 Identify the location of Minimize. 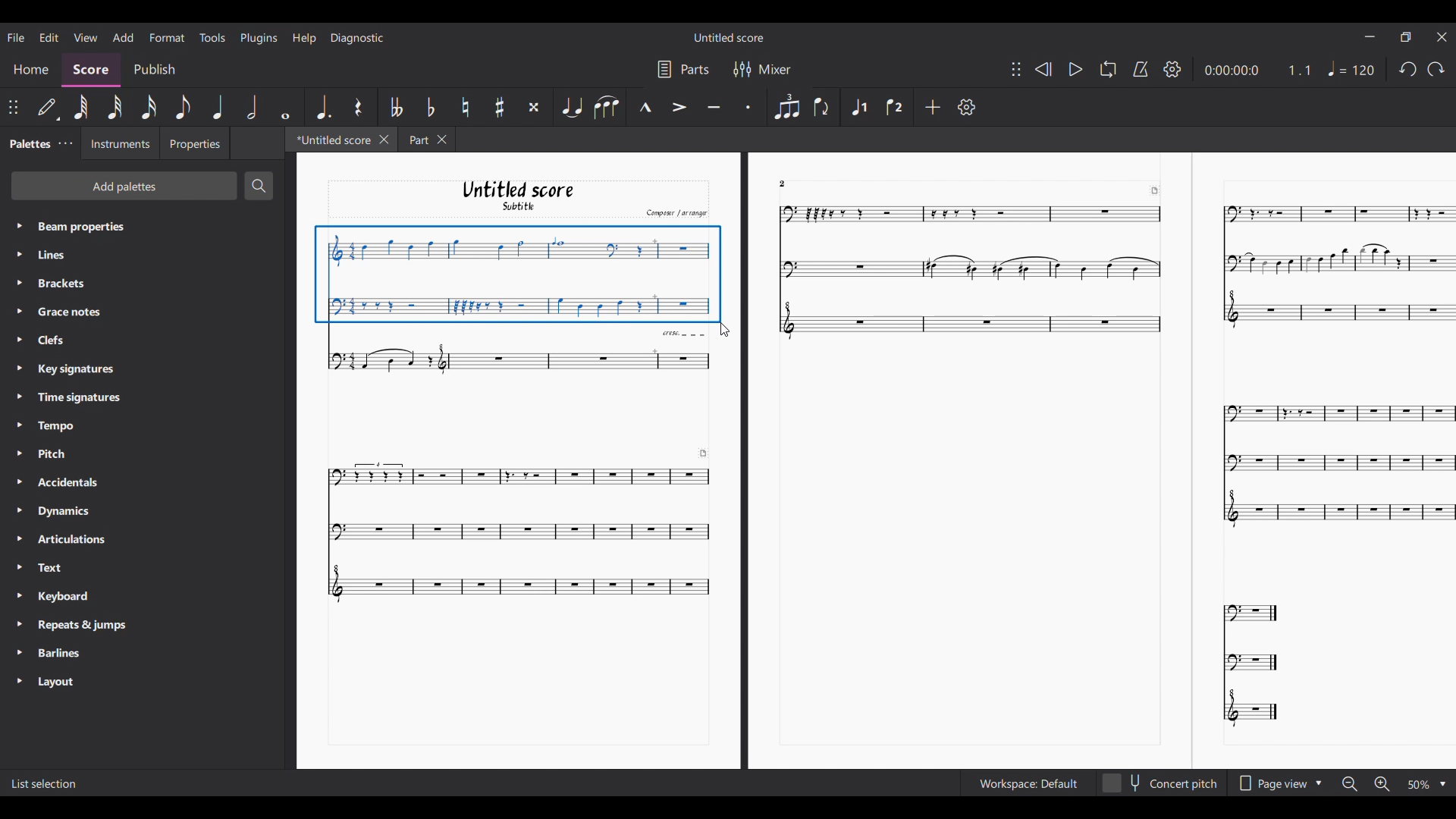
(1370, 36).